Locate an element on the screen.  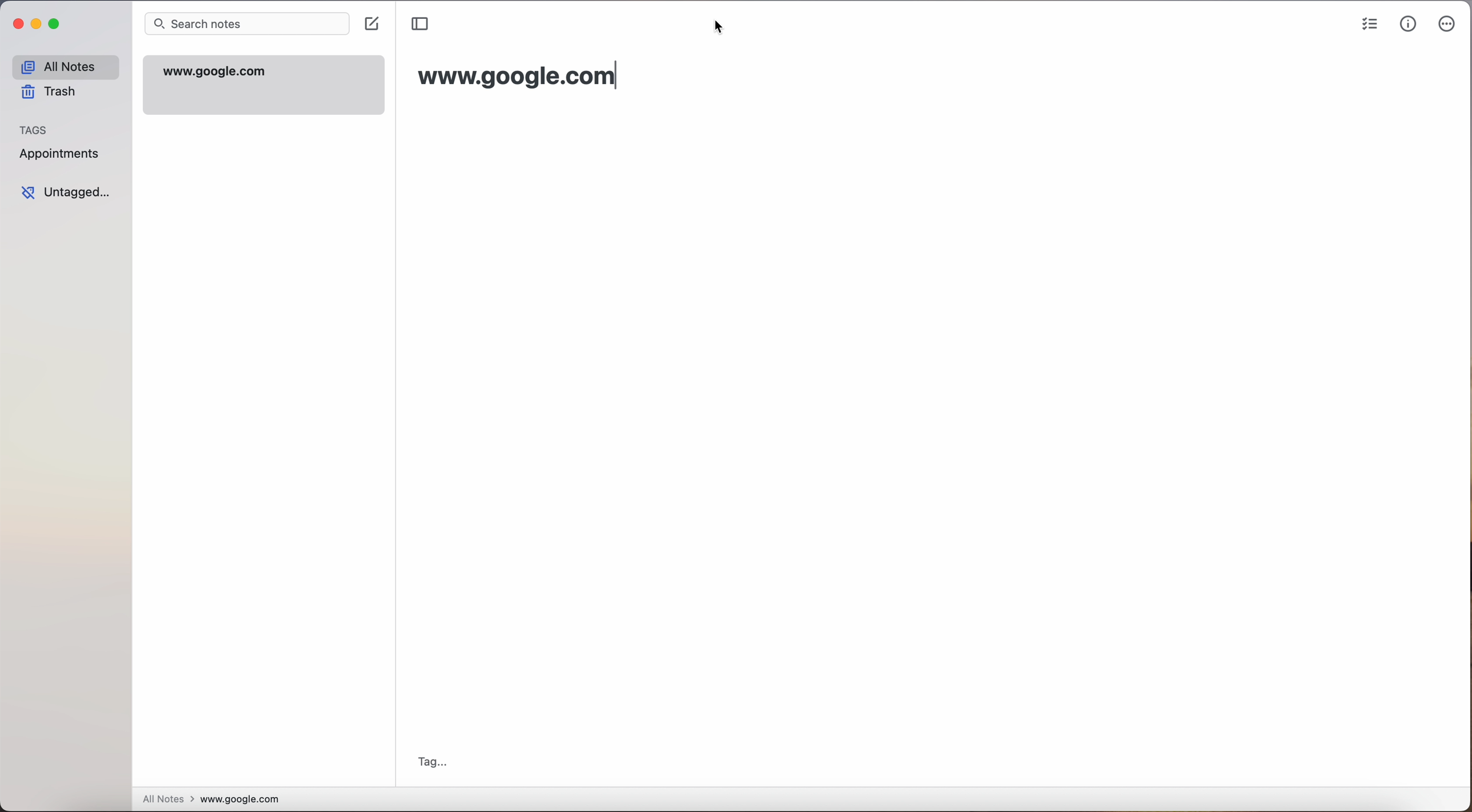
maximize app is located at coordinates (56, 25).